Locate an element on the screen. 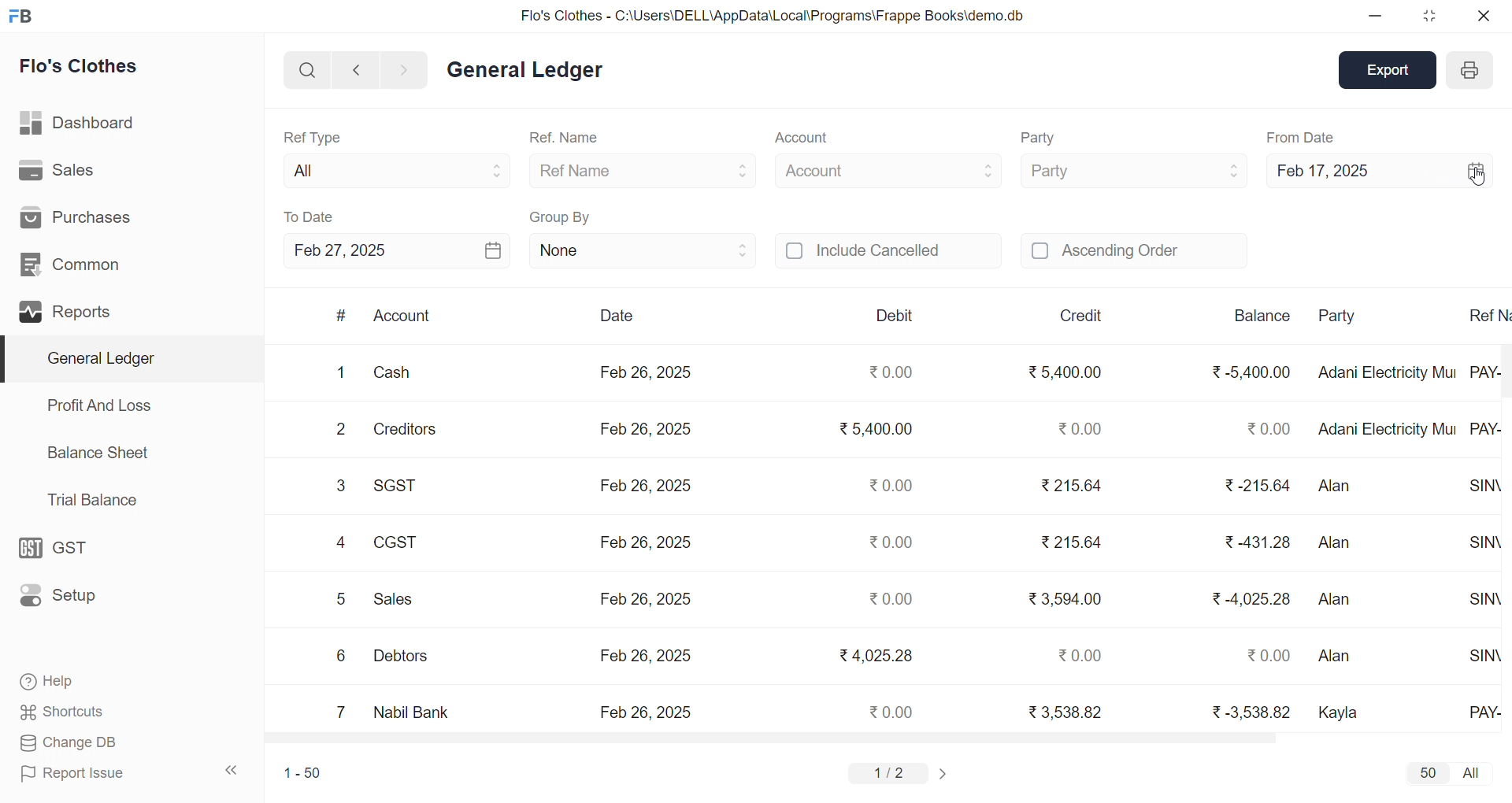 The height and width of the screenshot is (803, 1512). Kayla is located at coordinates (1343, 710).